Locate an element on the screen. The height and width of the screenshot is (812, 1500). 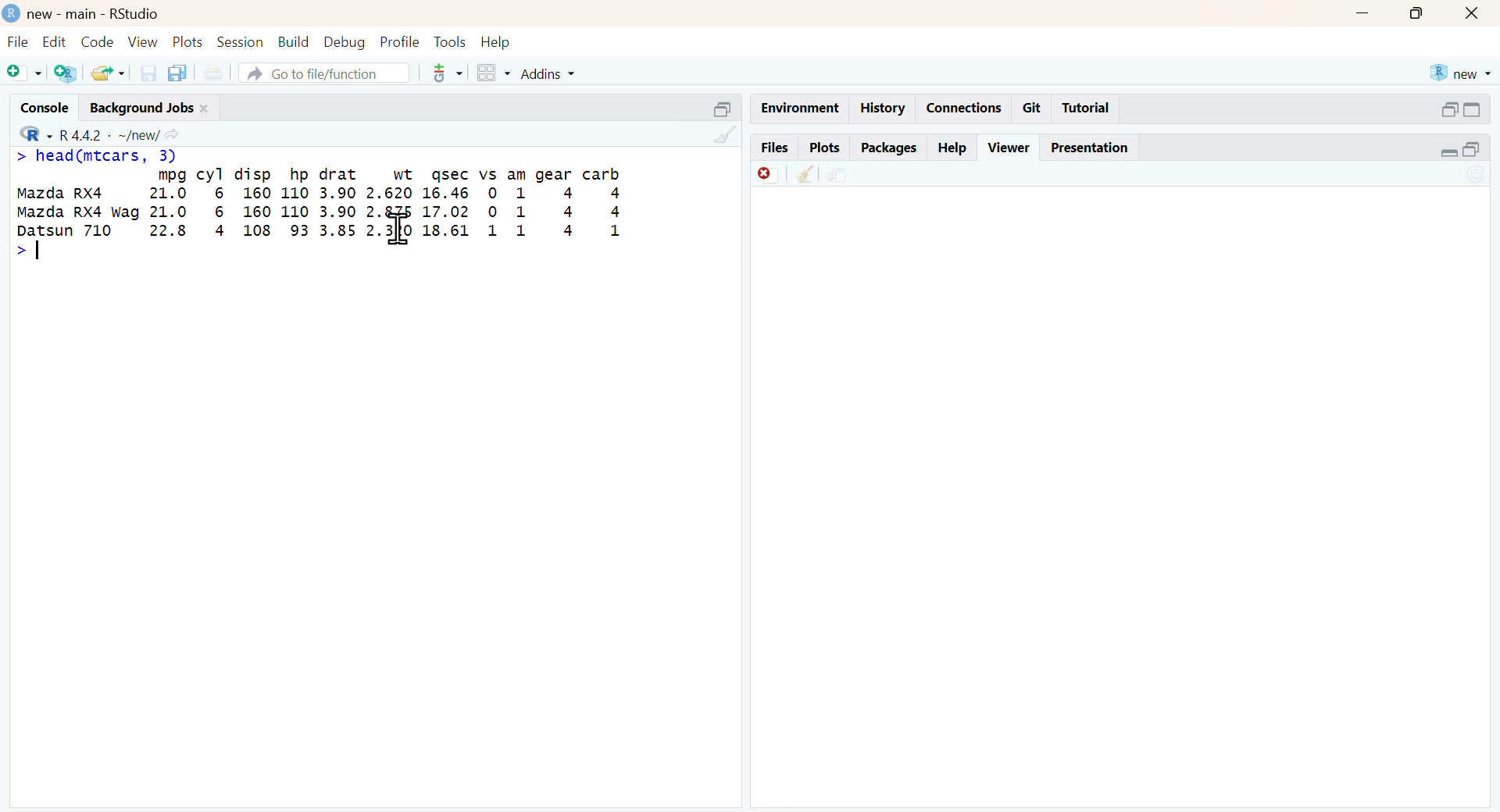
Debug is located at coordinates (343, 42).